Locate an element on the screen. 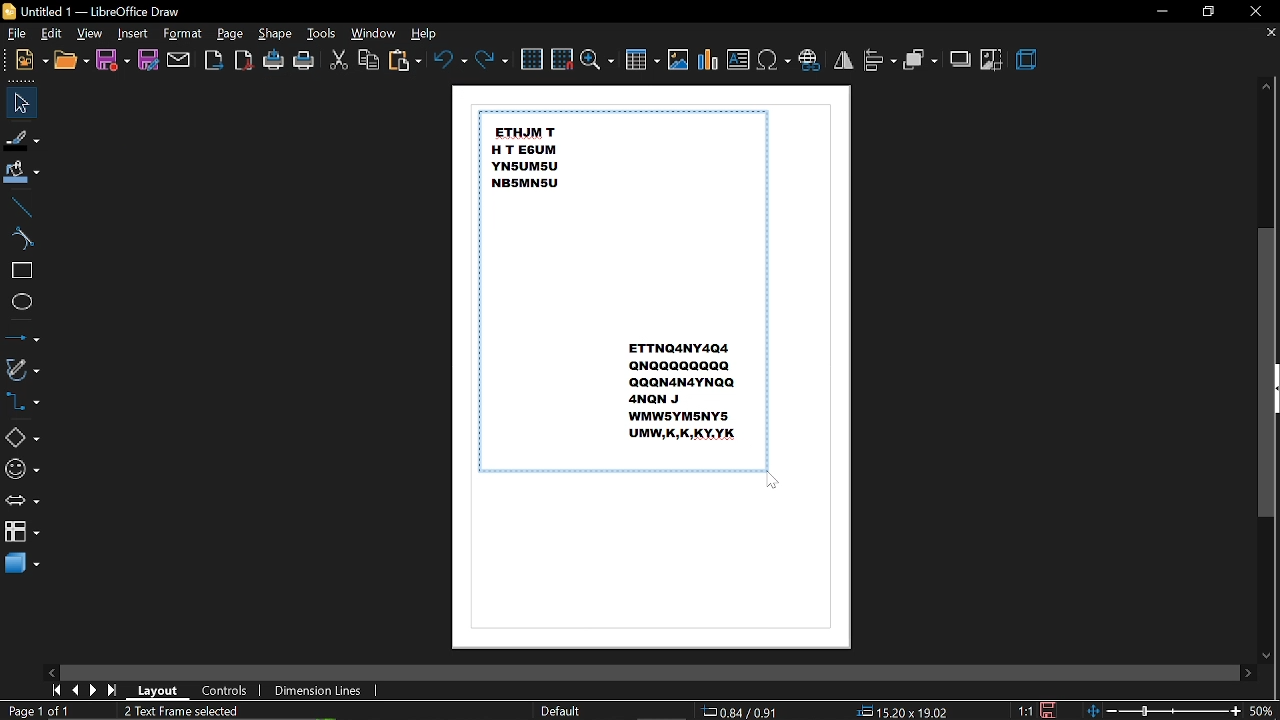 This screenshot has height=720, width=1280. selected canvas is located at coordinates (622, 291).